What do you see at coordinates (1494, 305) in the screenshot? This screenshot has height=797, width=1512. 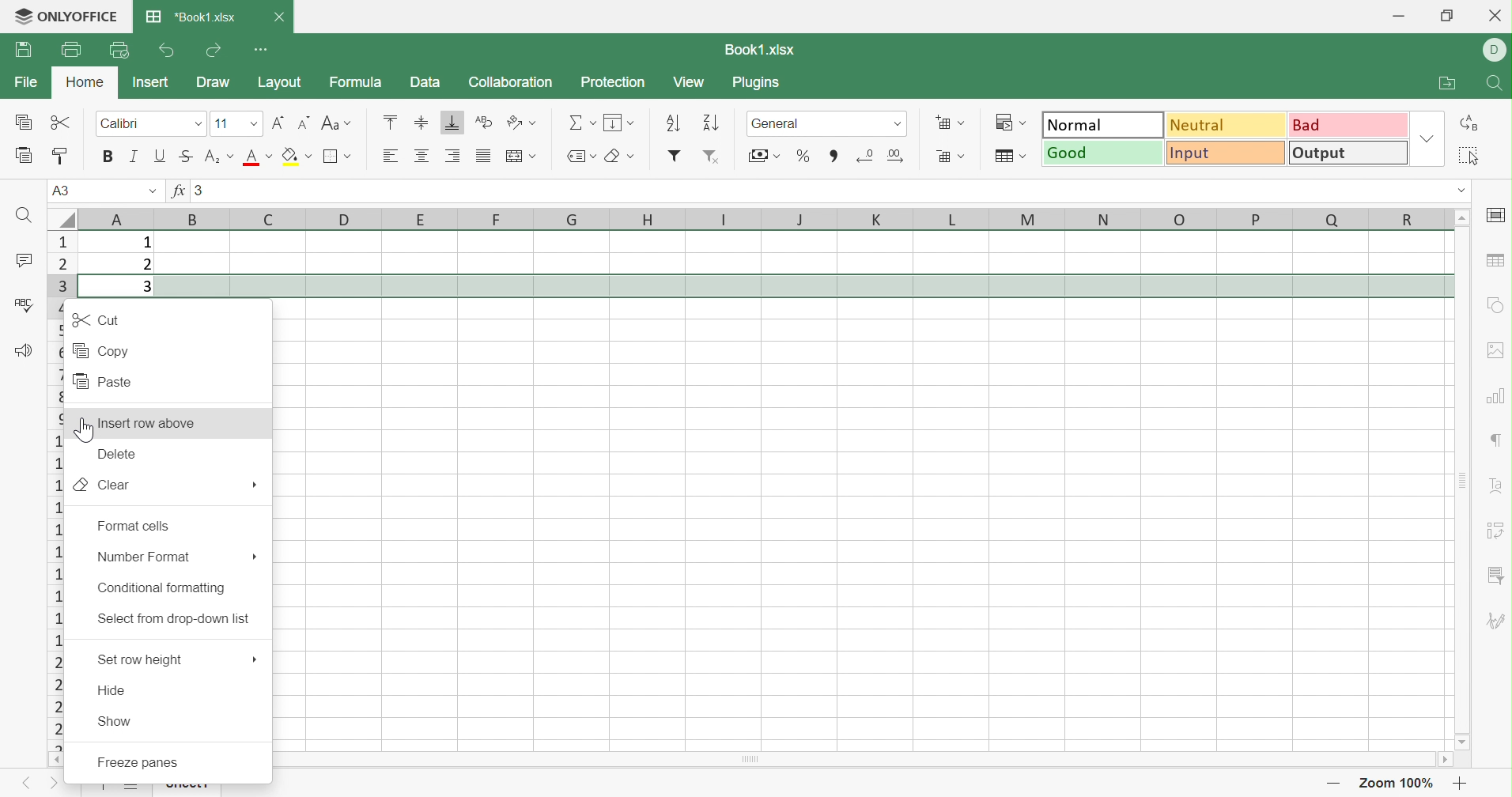 I see `Shape settings` at bounding box center [1494, 305].